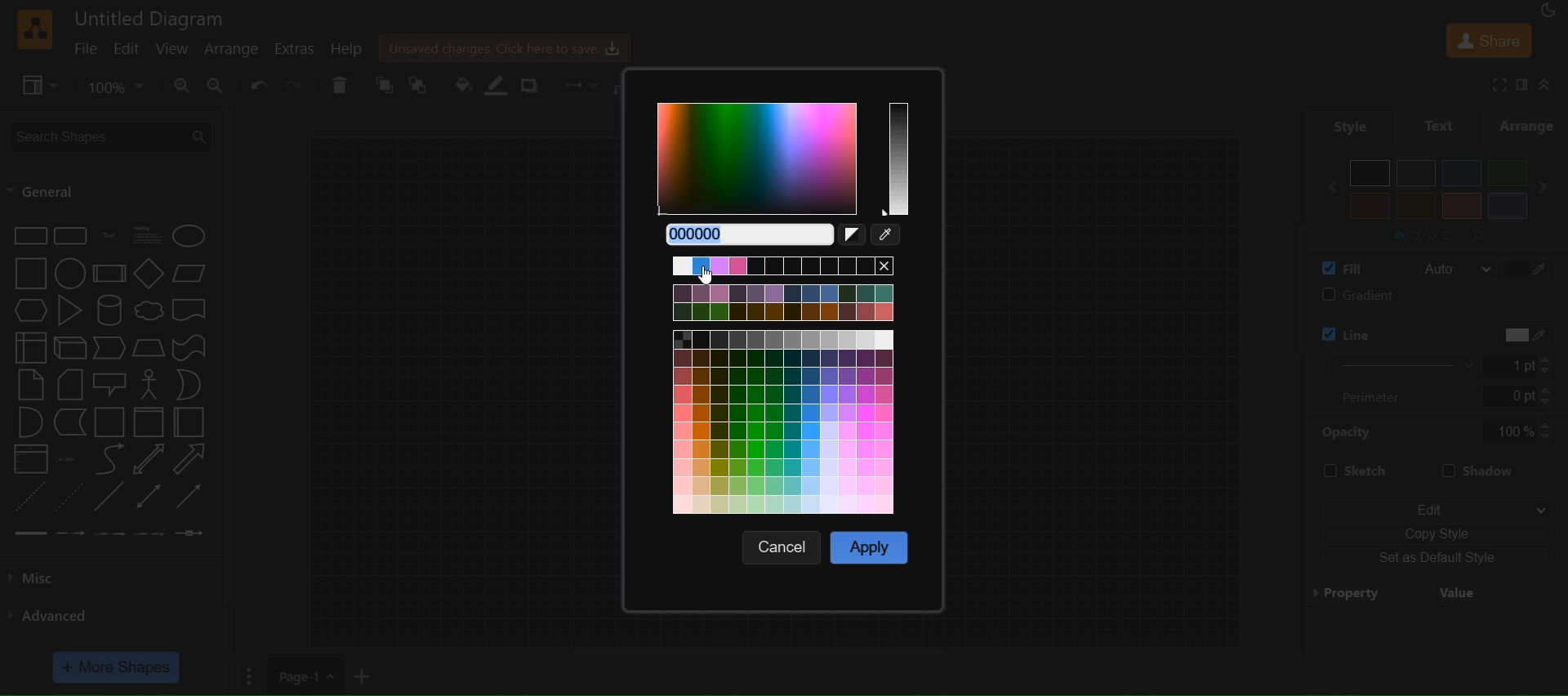 This screenshot has width=1568, height=696. I want to click on fill color, so click(1338, 267).